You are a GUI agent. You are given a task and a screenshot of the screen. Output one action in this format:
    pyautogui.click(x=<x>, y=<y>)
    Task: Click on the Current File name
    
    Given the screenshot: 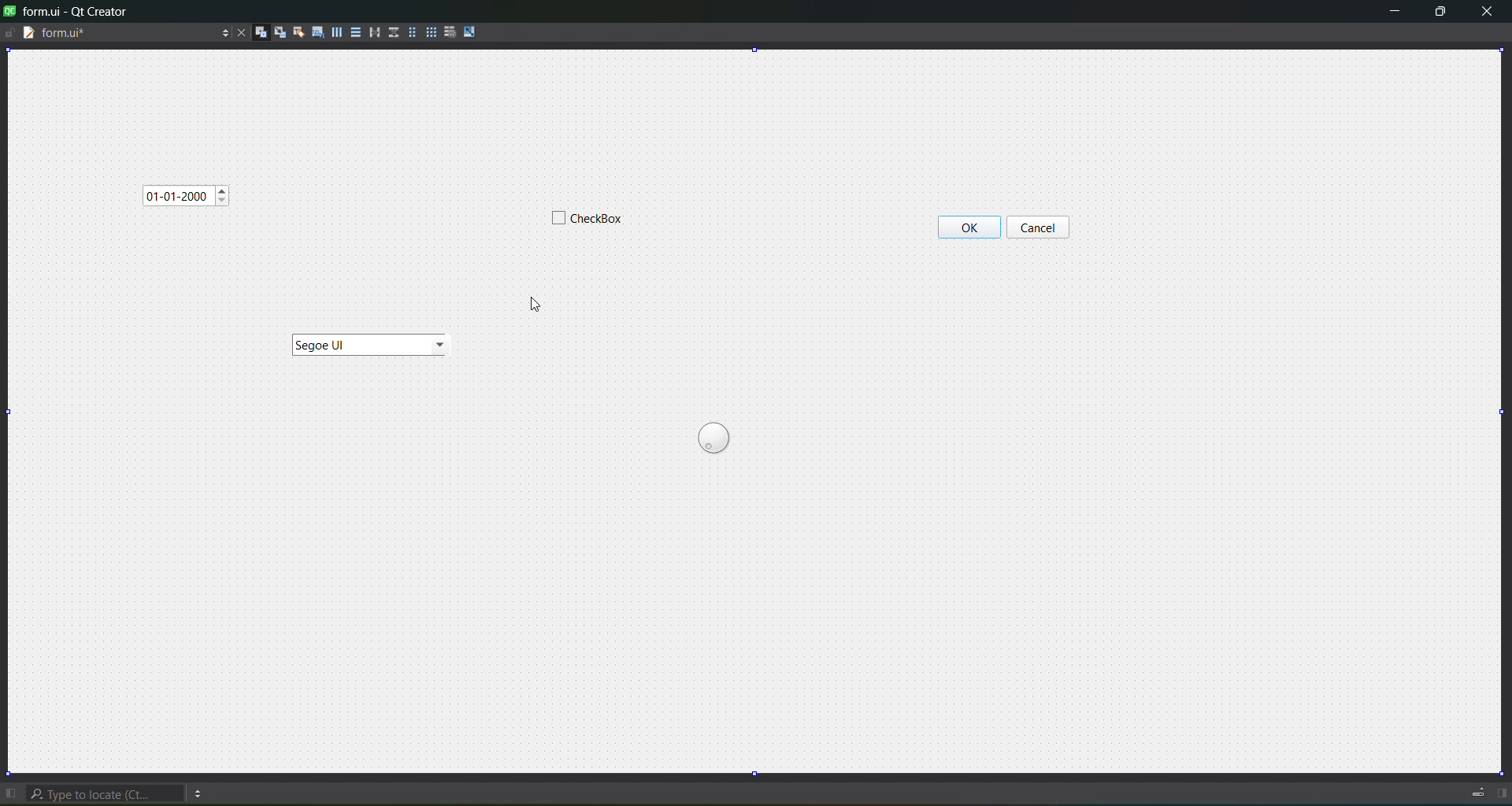 What is the action you would take?
    pyautogui.click(x=125, y=32)
    